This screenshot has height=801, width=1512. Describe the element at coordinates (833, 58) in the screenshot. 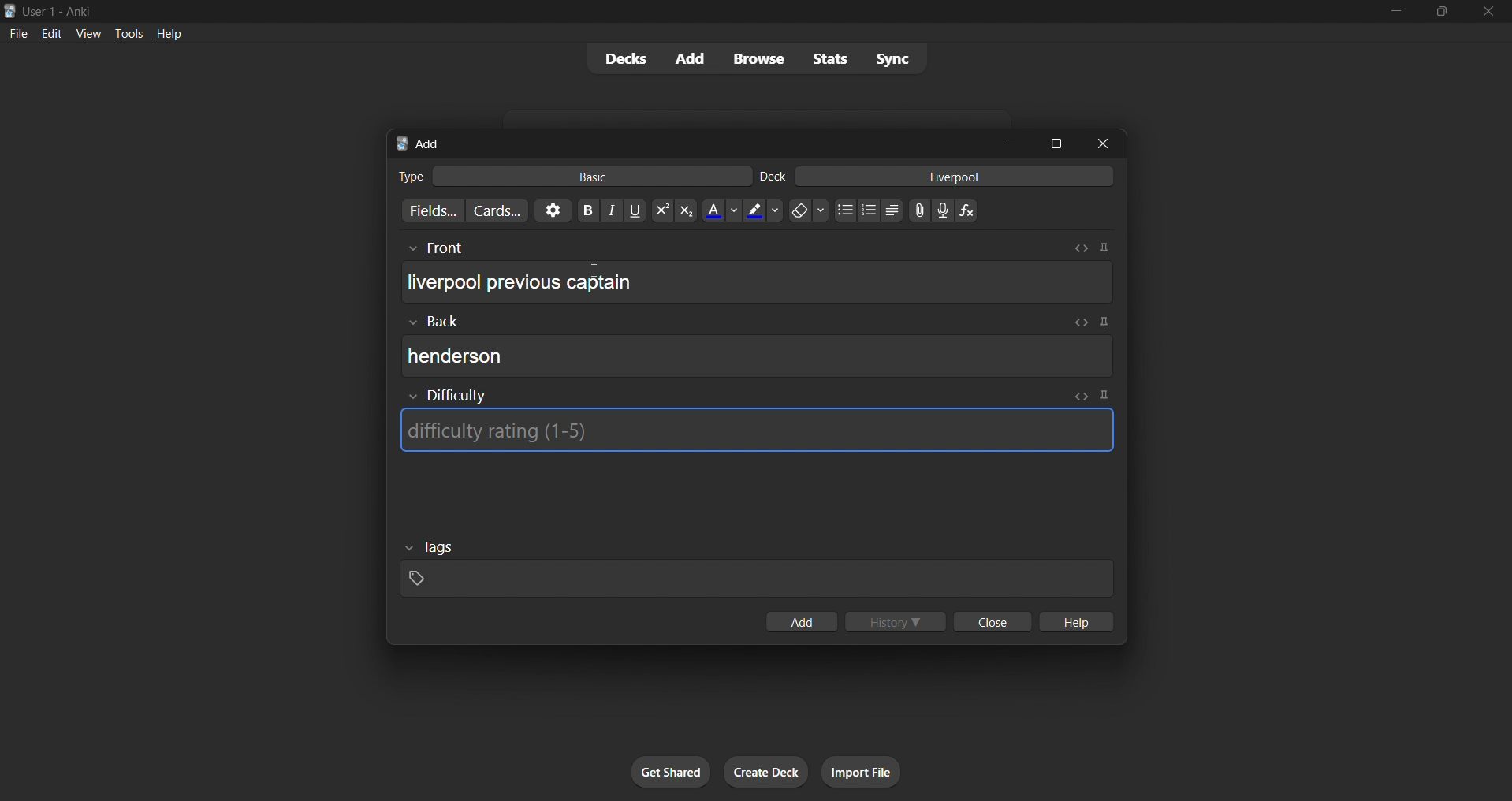

I see `stats` at that location.